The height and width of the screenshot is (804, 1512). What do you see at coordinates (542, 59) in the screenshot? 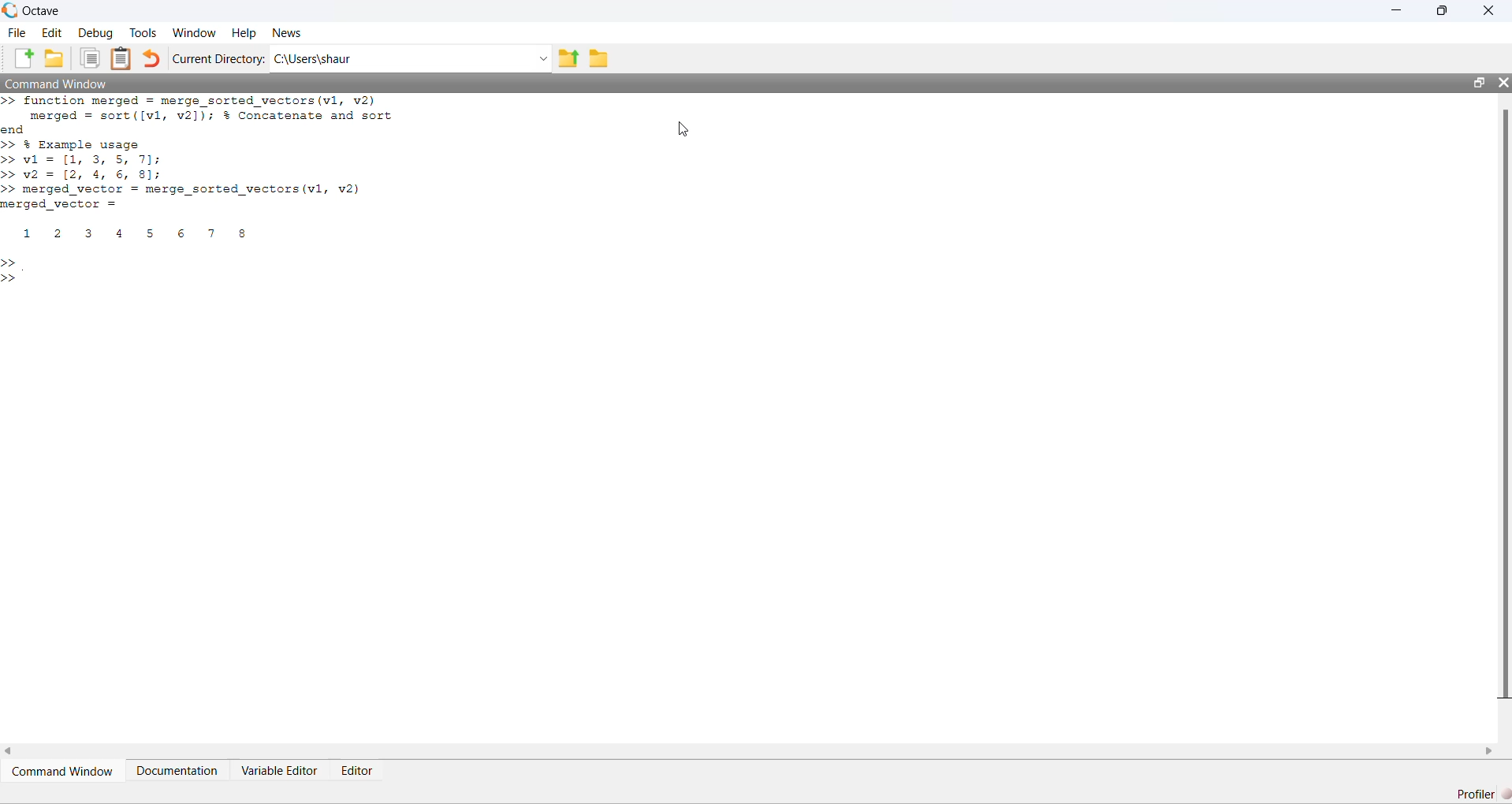
I see `Drop-down ` at bounding box center [542, 59].